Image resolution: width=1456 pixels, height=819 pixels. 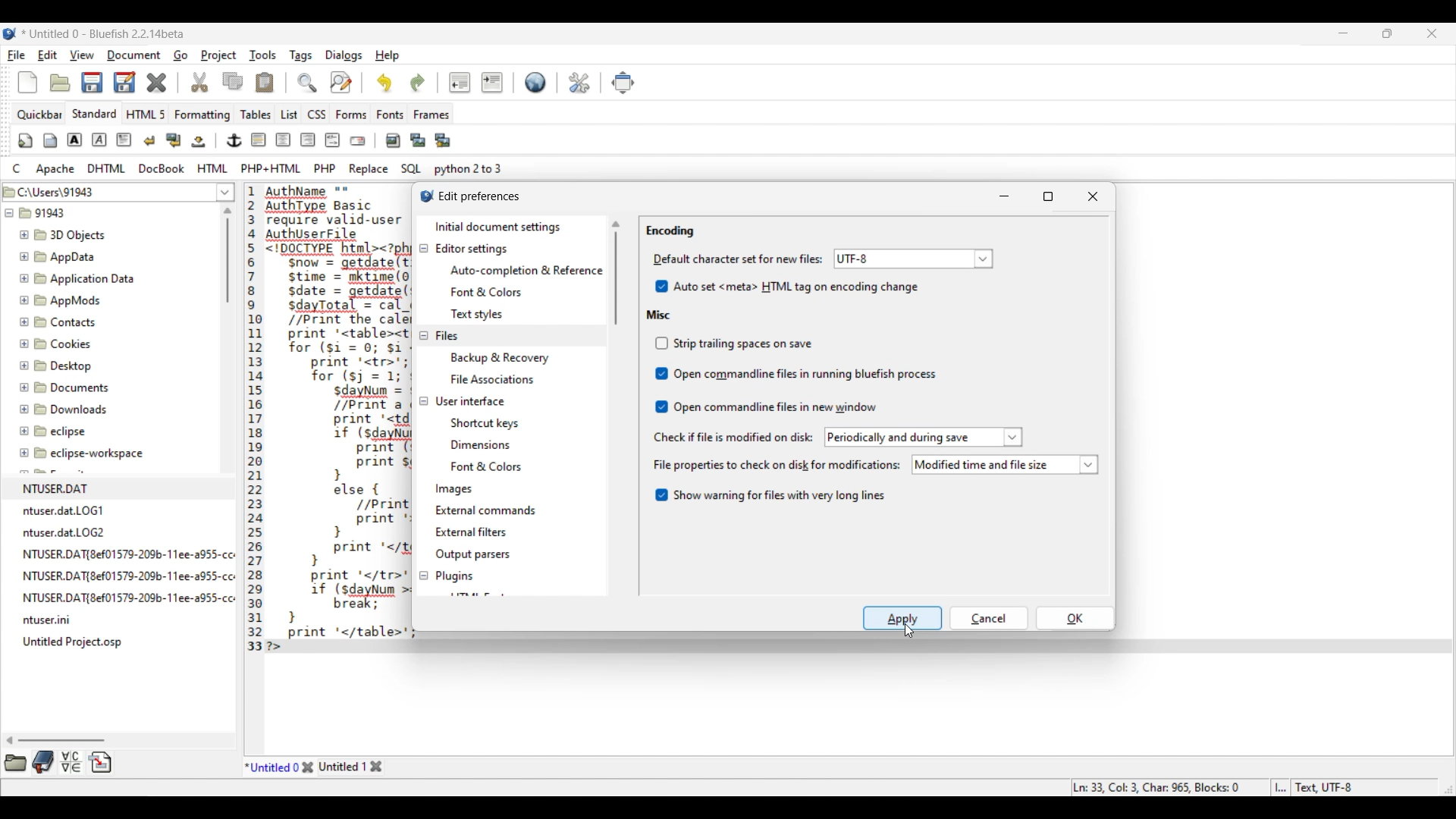 What do you see at coordinates (384, 83) in the screenshot?
I see `Undo` at bounding box center [384, 83].